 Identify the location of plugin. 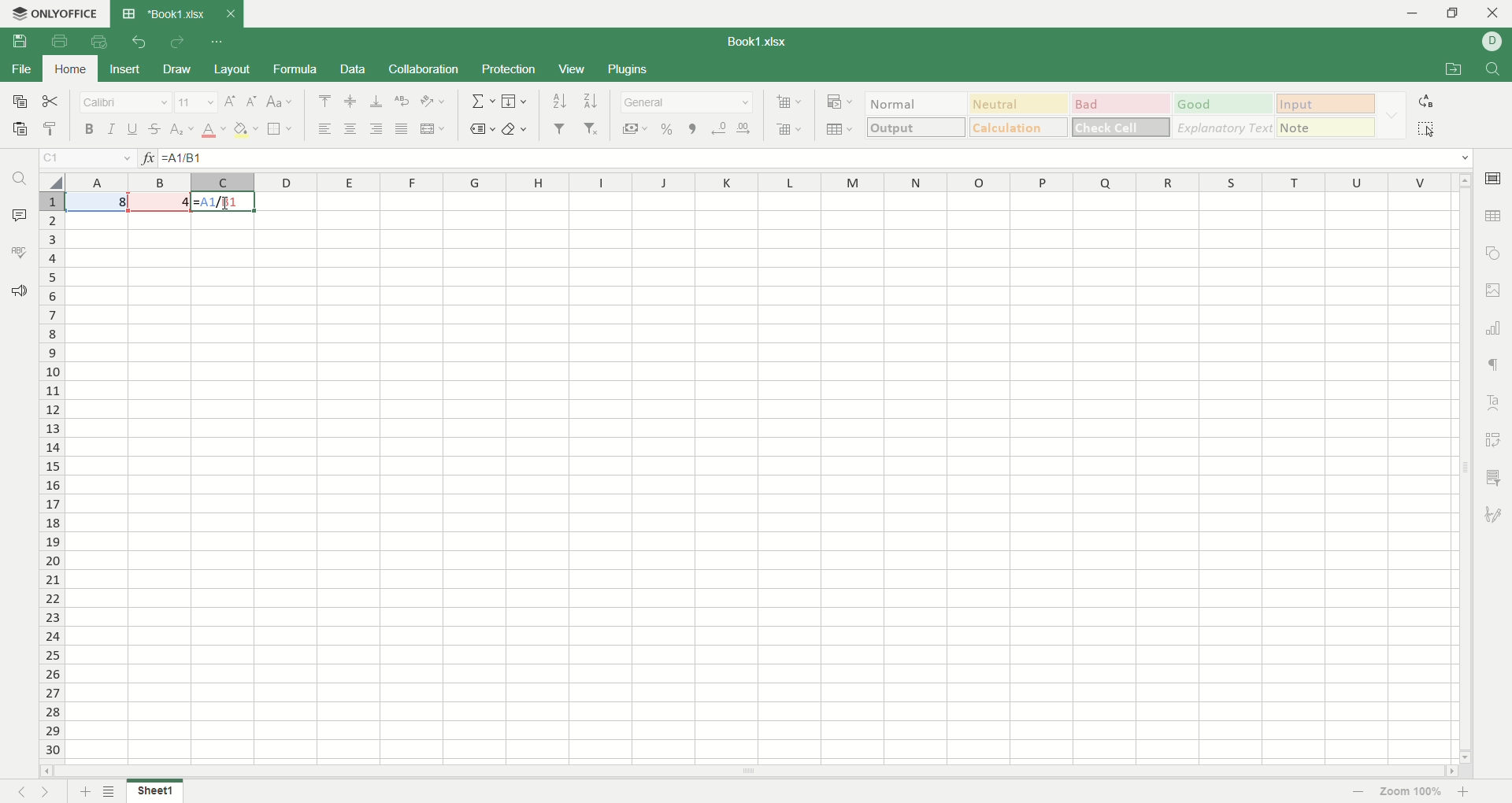
(625, 68).